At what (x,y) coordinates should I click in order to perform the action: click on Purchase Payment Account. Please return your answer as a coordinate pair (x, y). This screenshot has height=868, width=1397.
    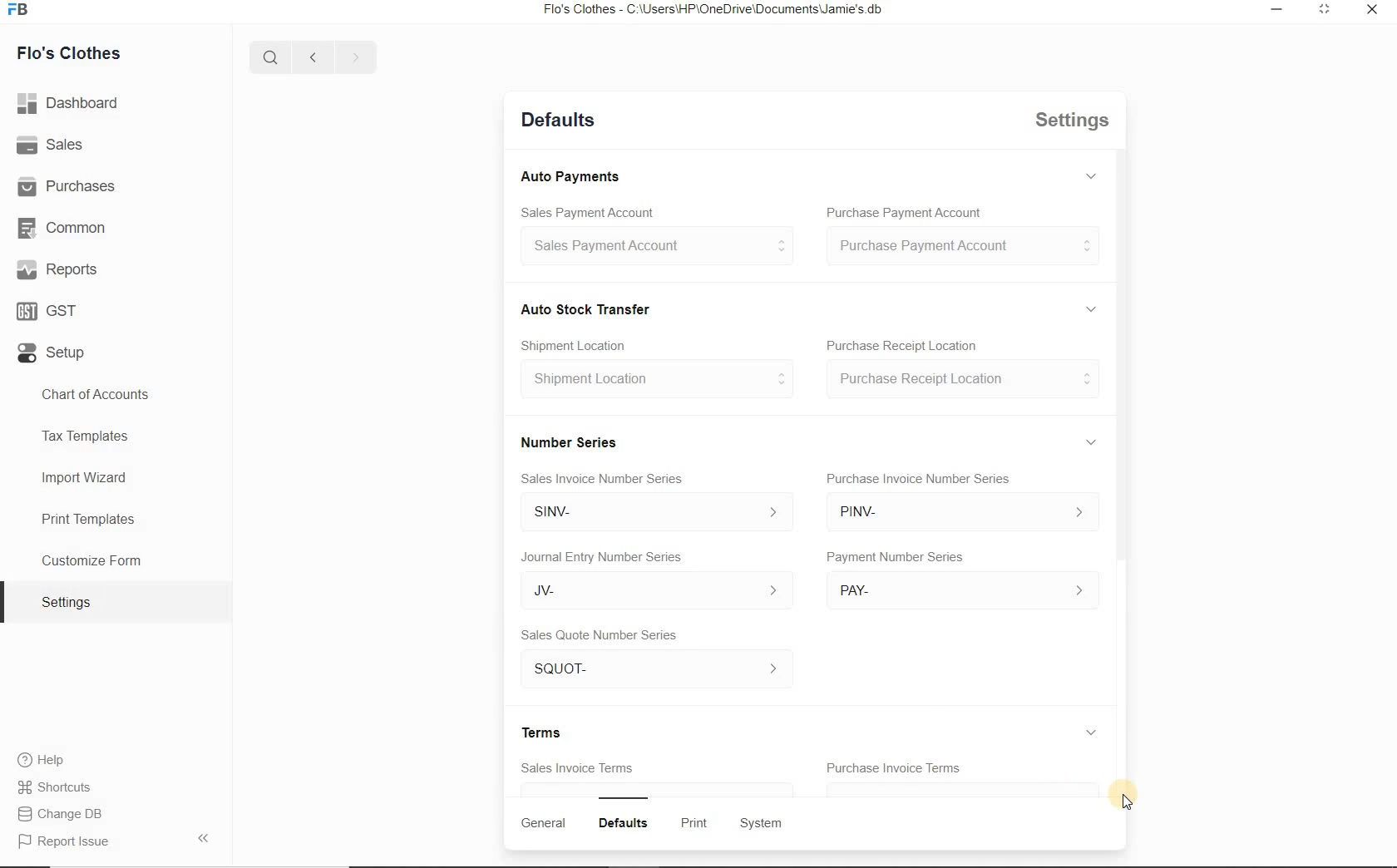
    Looking at the image, I should click on (904, 214).